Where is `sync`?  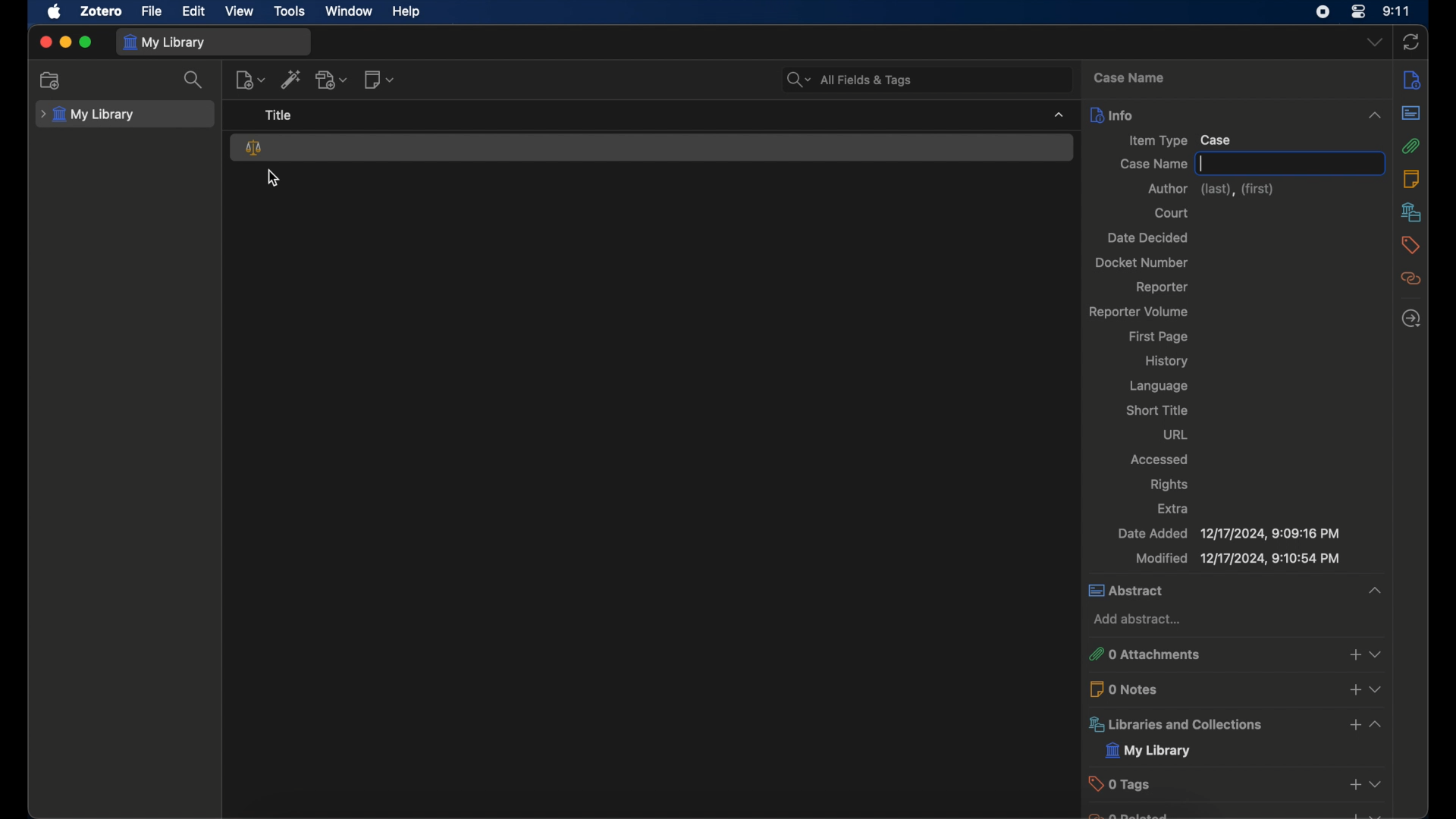
sync is located at coordinates (1410, 42).